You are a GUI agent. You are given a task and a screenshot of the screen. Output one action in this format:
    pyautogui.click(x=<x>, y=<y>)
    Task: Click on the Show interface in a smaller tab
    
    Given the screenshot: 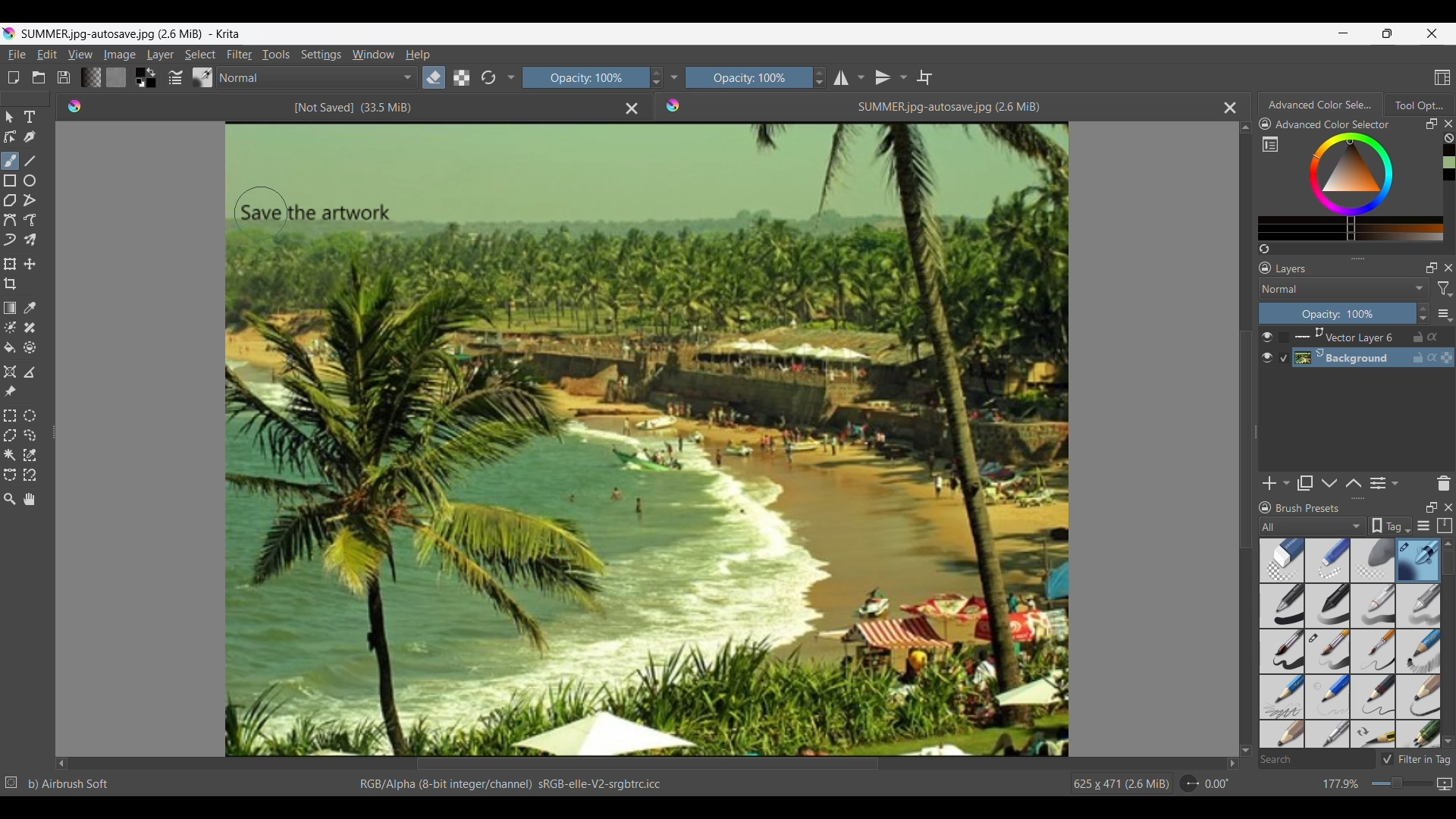 What is the action you would take?
    pyautogui.click(x=1387, y=33)
    